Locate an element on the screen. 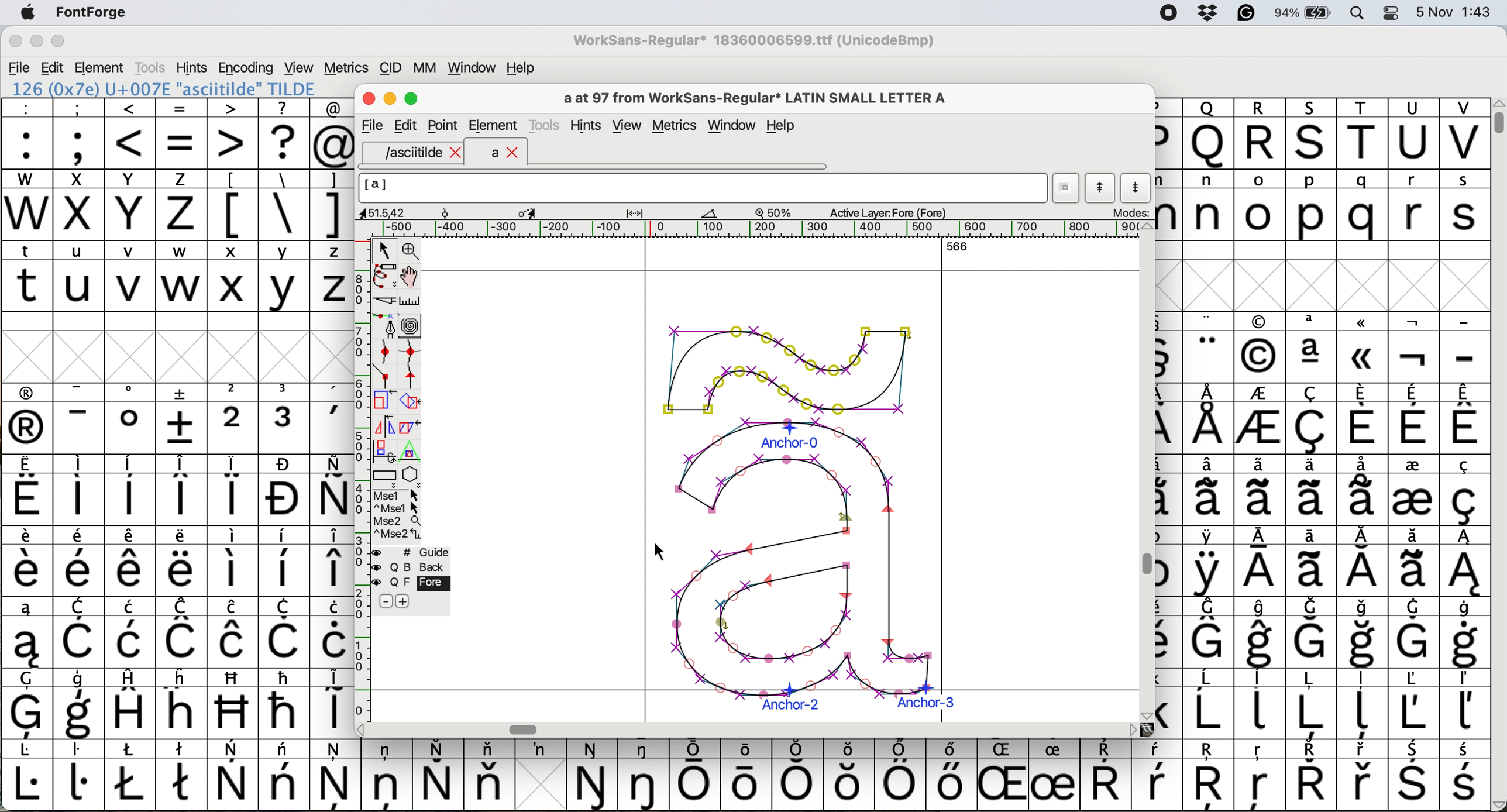  symbol is located at coordinates (1412, 703).